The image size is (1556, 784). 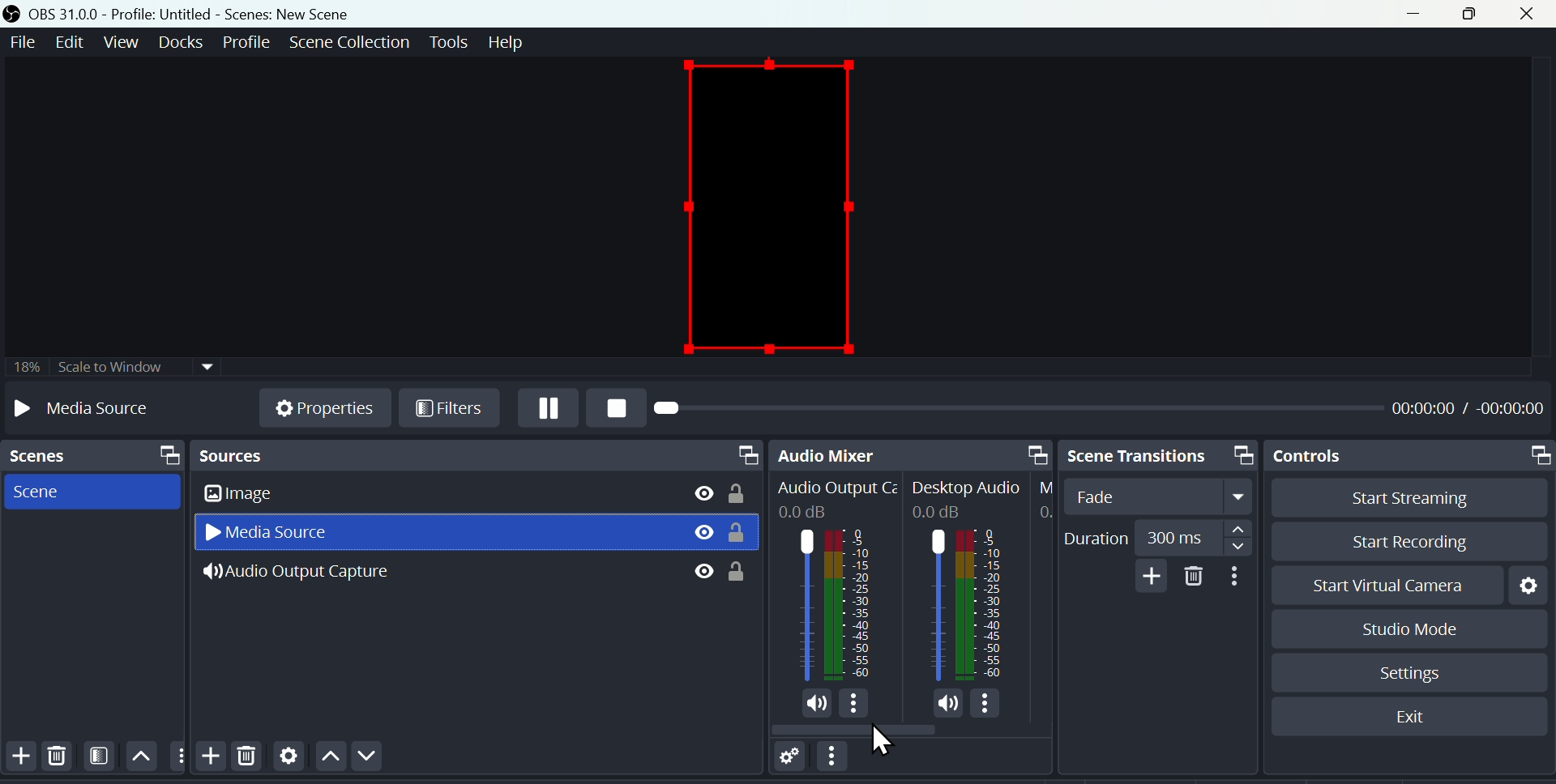 What do you see at coordinates (1399, 539) in the screenshot?
I see `Start recording` at bounding box center [1399, 539].